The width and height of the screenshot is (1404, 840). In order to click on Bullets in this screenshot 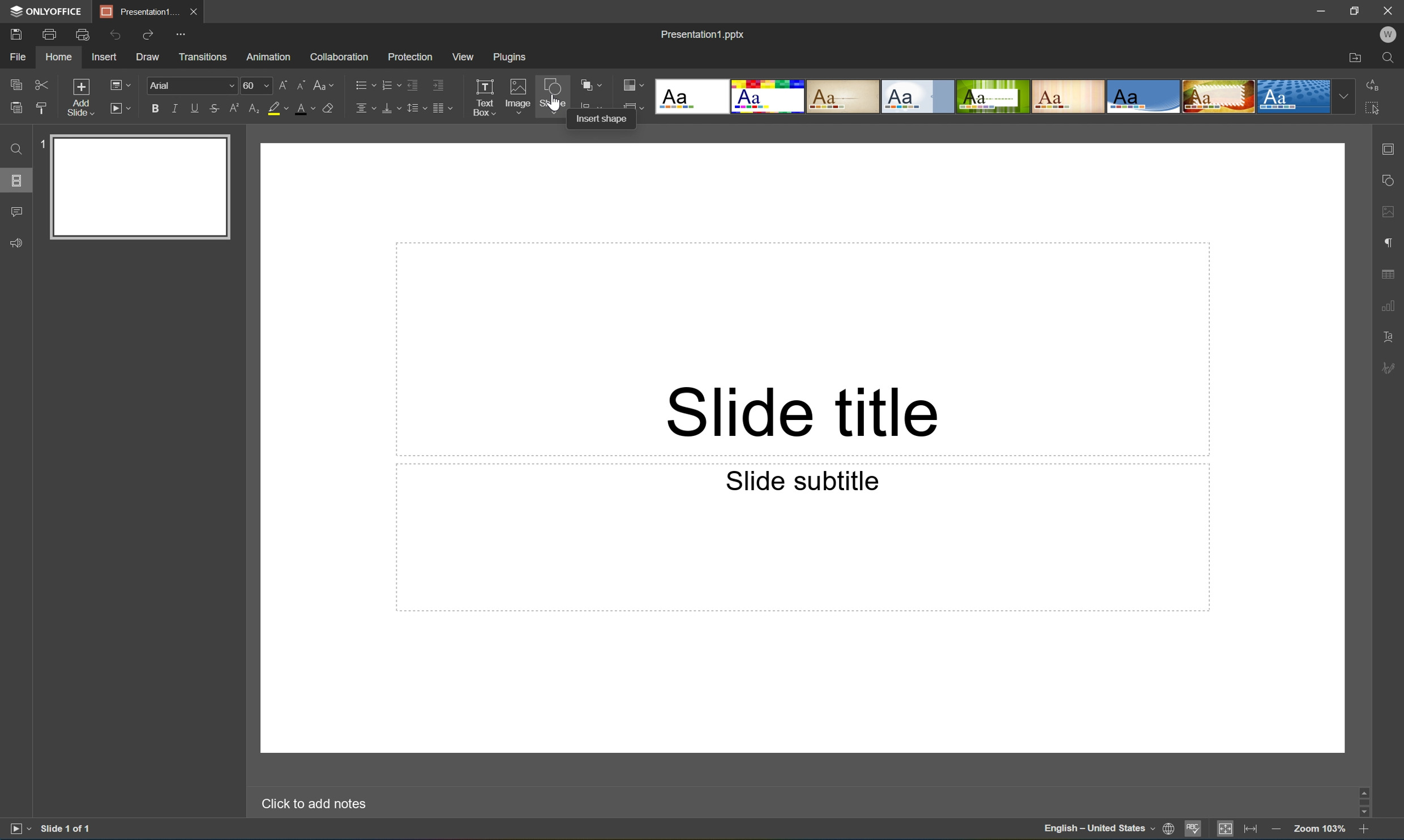, I will do `click(362, 84)`.